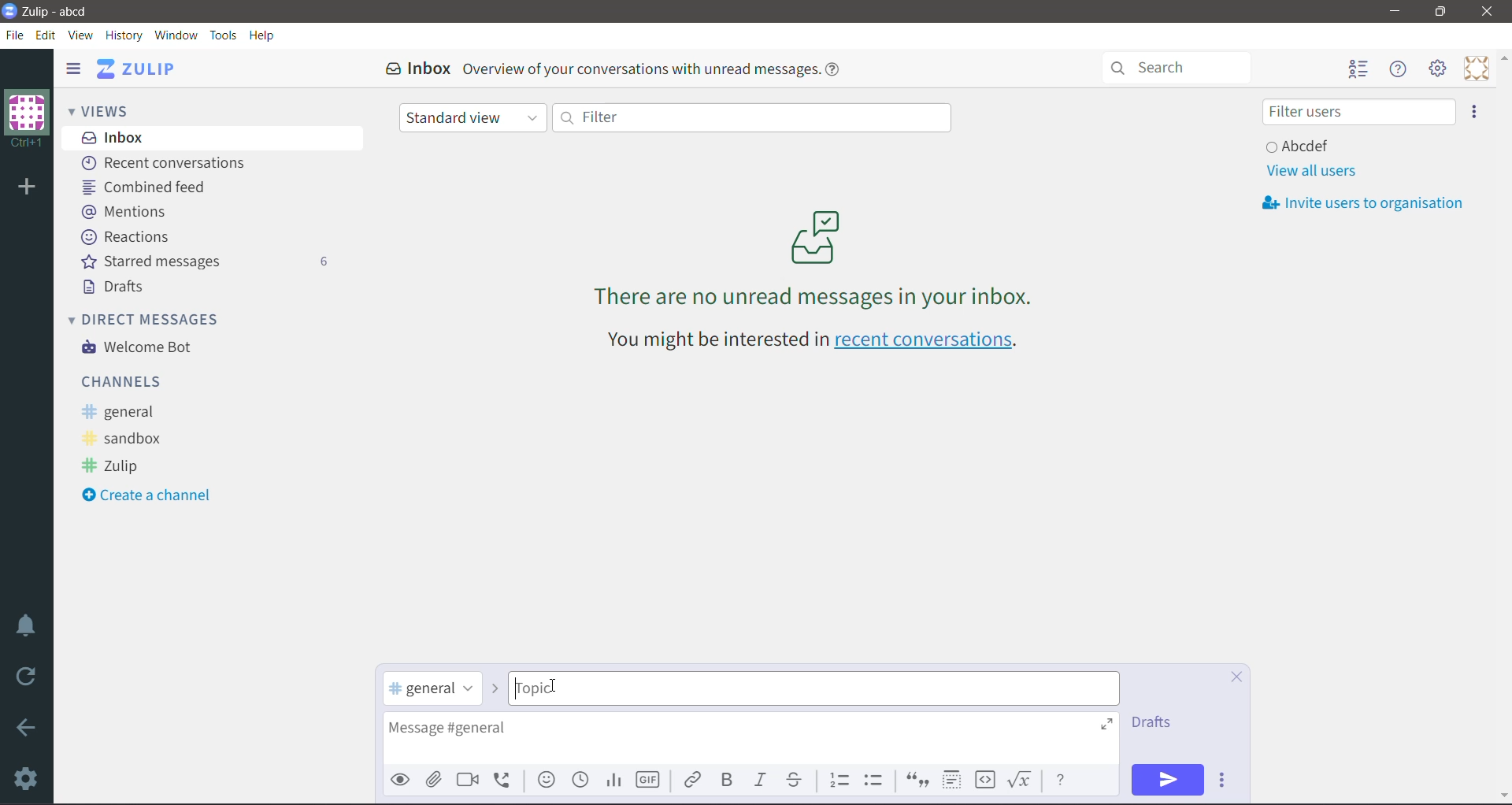  Describe the element at coordinates (150, 187) in the screenshot. I see `Combined feed` at that location.